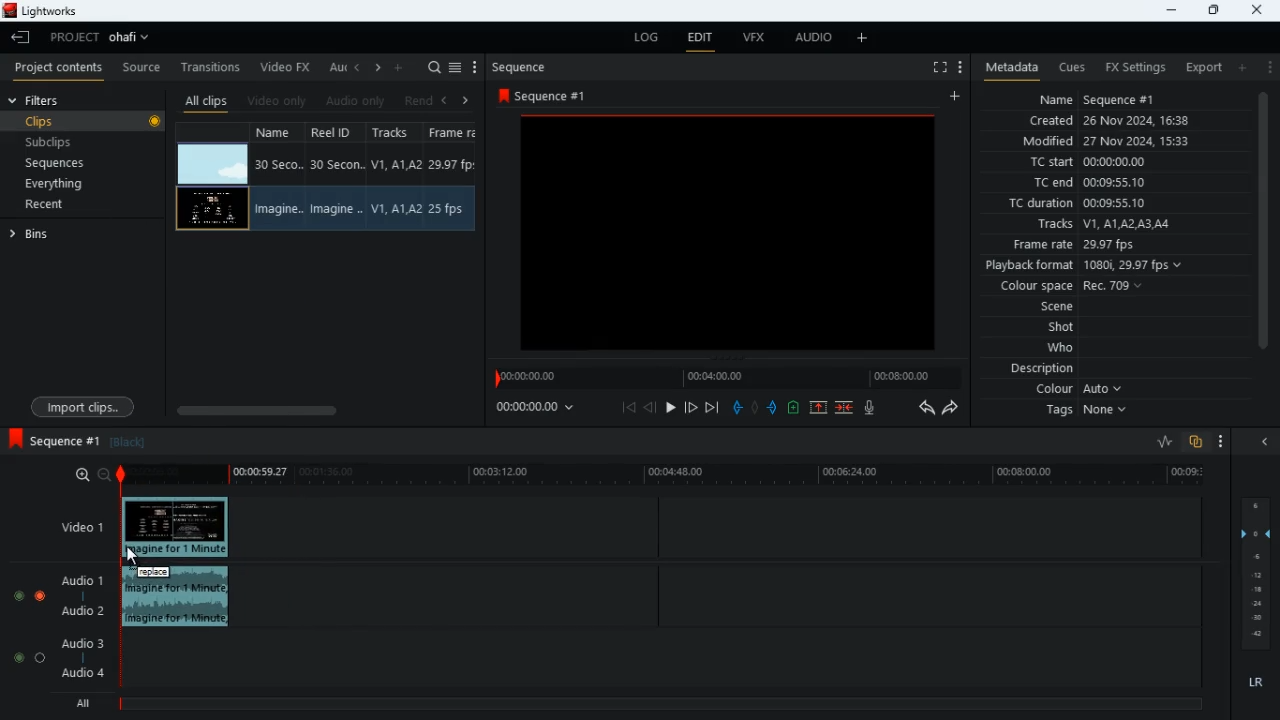 The height and width of the screenshot is (720, 1280). I want to click on beggining, so click(628, 407).